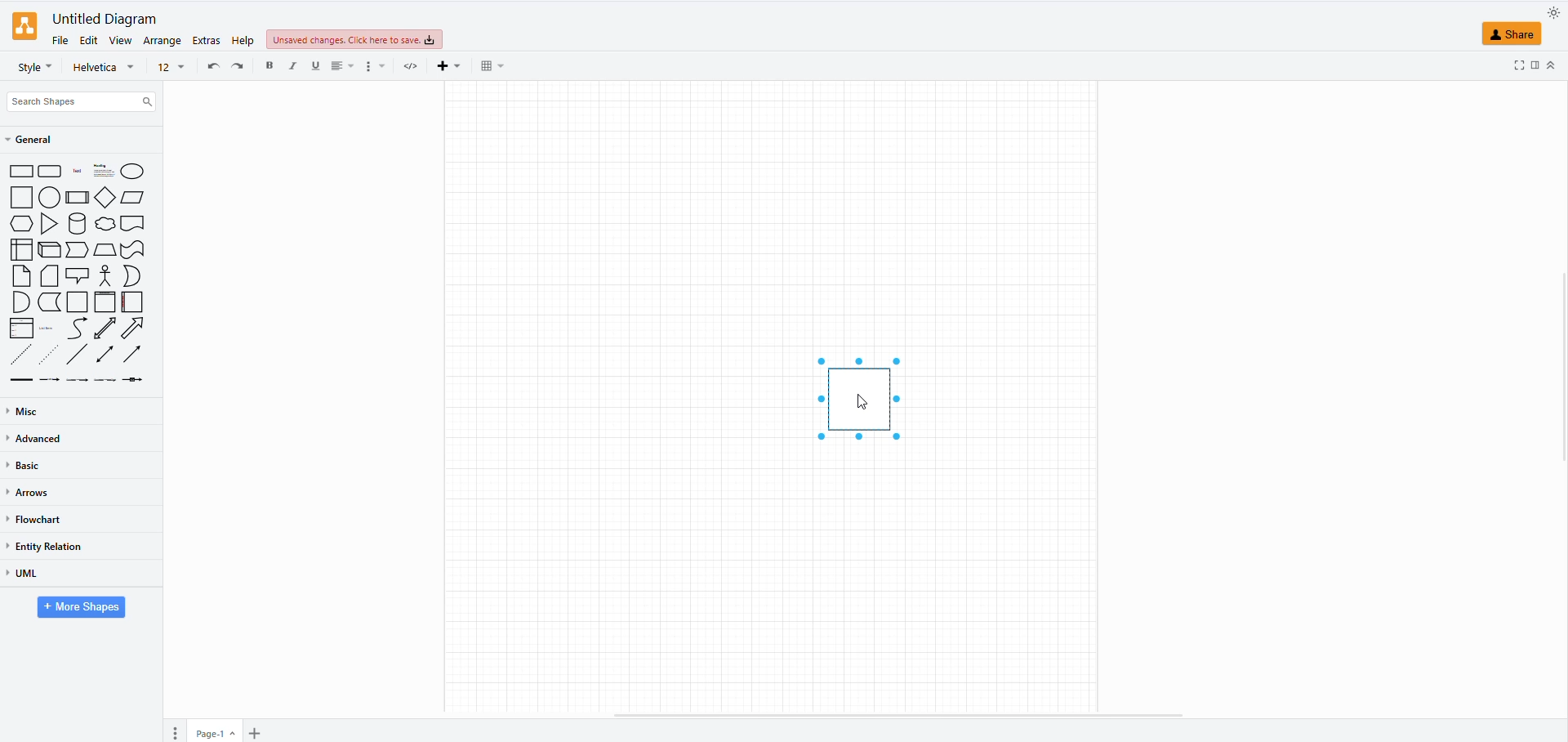  What do you see at coordinates (23, 574) in the screenshot?
I see `uml` at bounding box center [23, 574].